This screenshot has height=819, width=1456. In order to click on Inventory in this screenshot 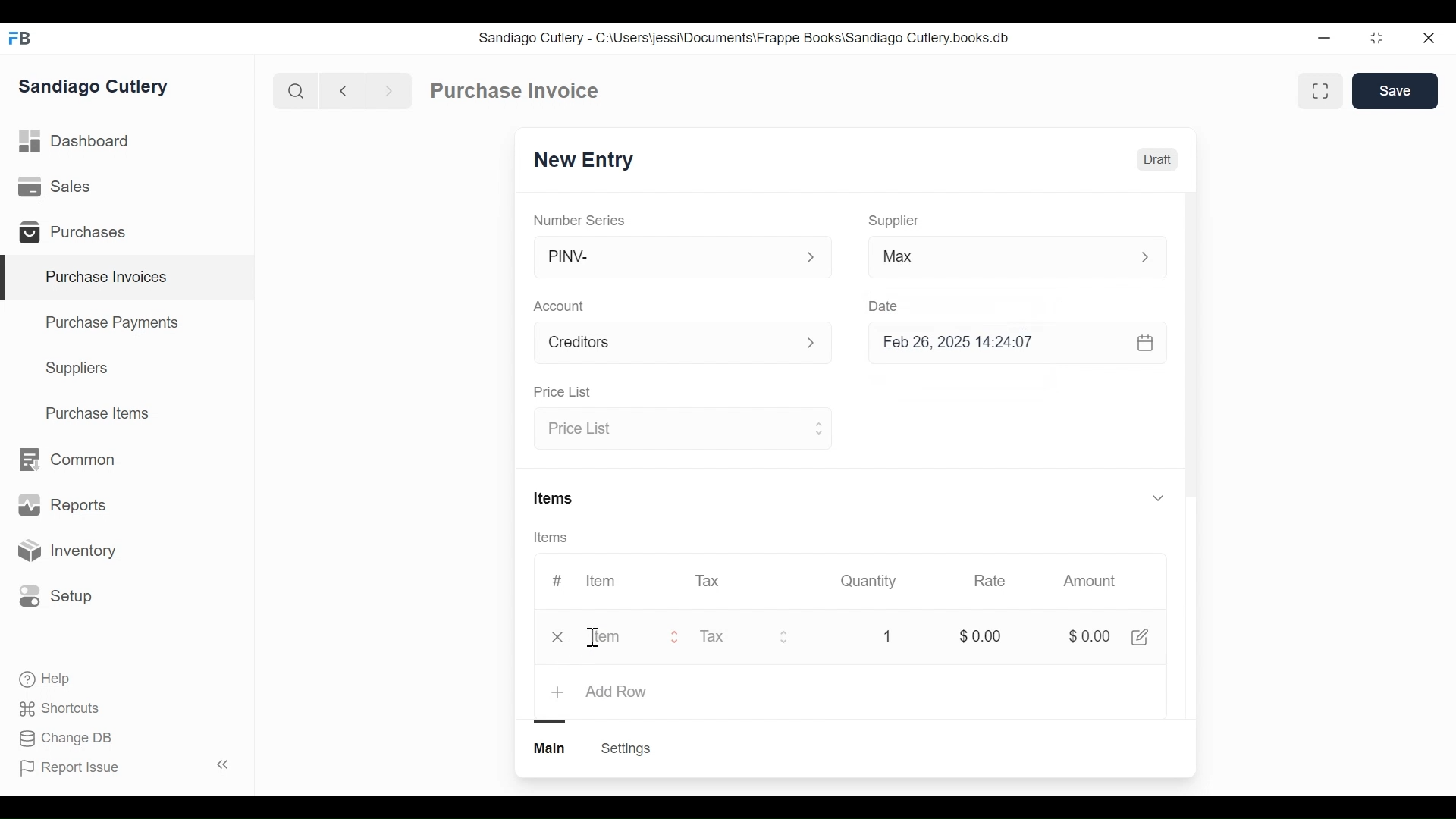, I will do `click(65, 551)`.